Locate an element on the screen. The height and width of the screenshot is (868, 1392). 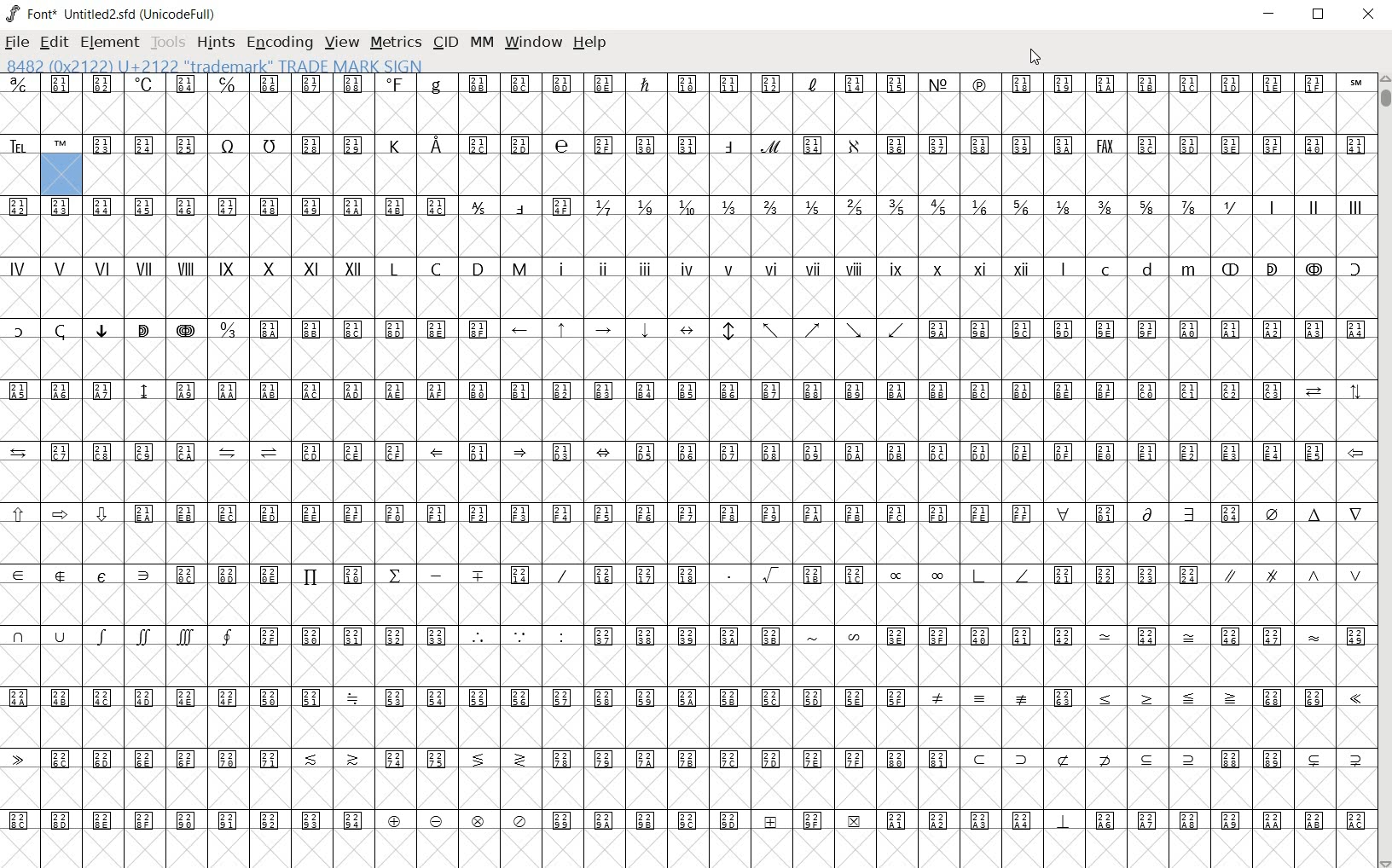
HELP is located at coordinates (590, 44).